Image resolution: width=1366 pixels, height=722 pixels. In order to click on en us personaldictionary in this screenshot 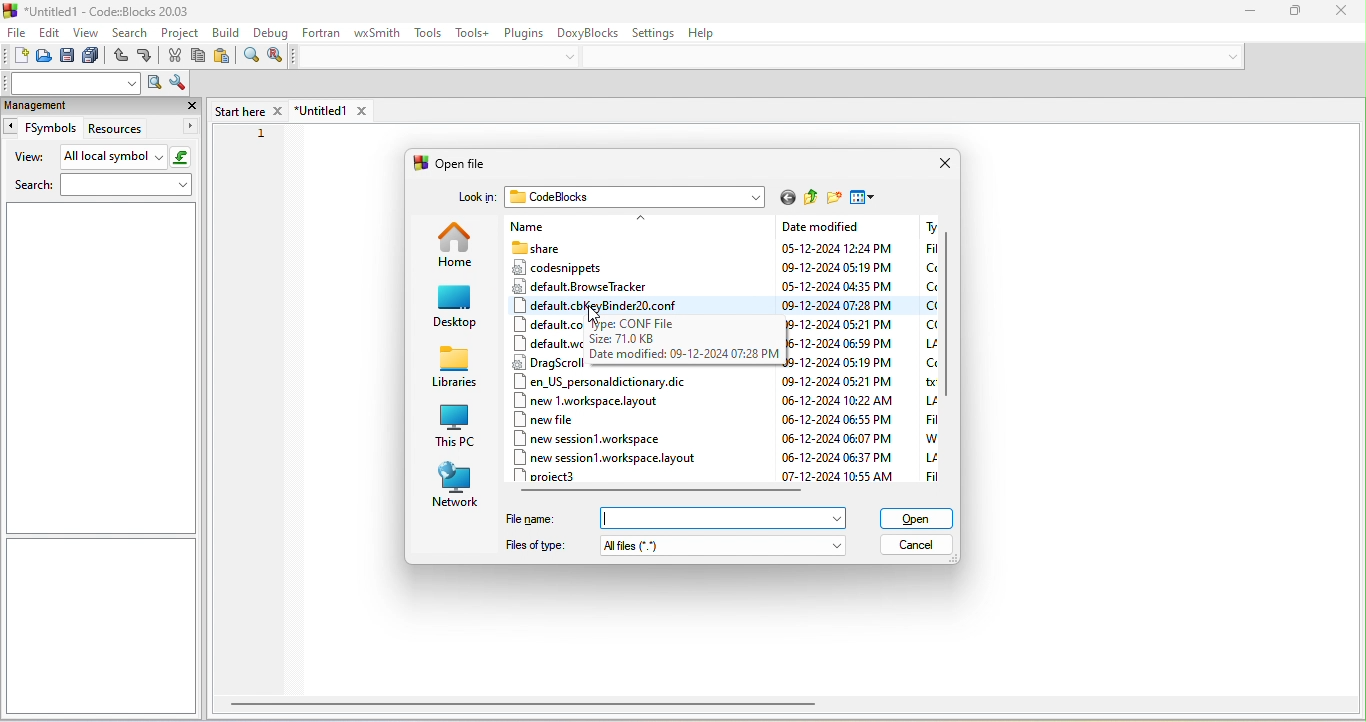, I will do `click(607, 383)`.